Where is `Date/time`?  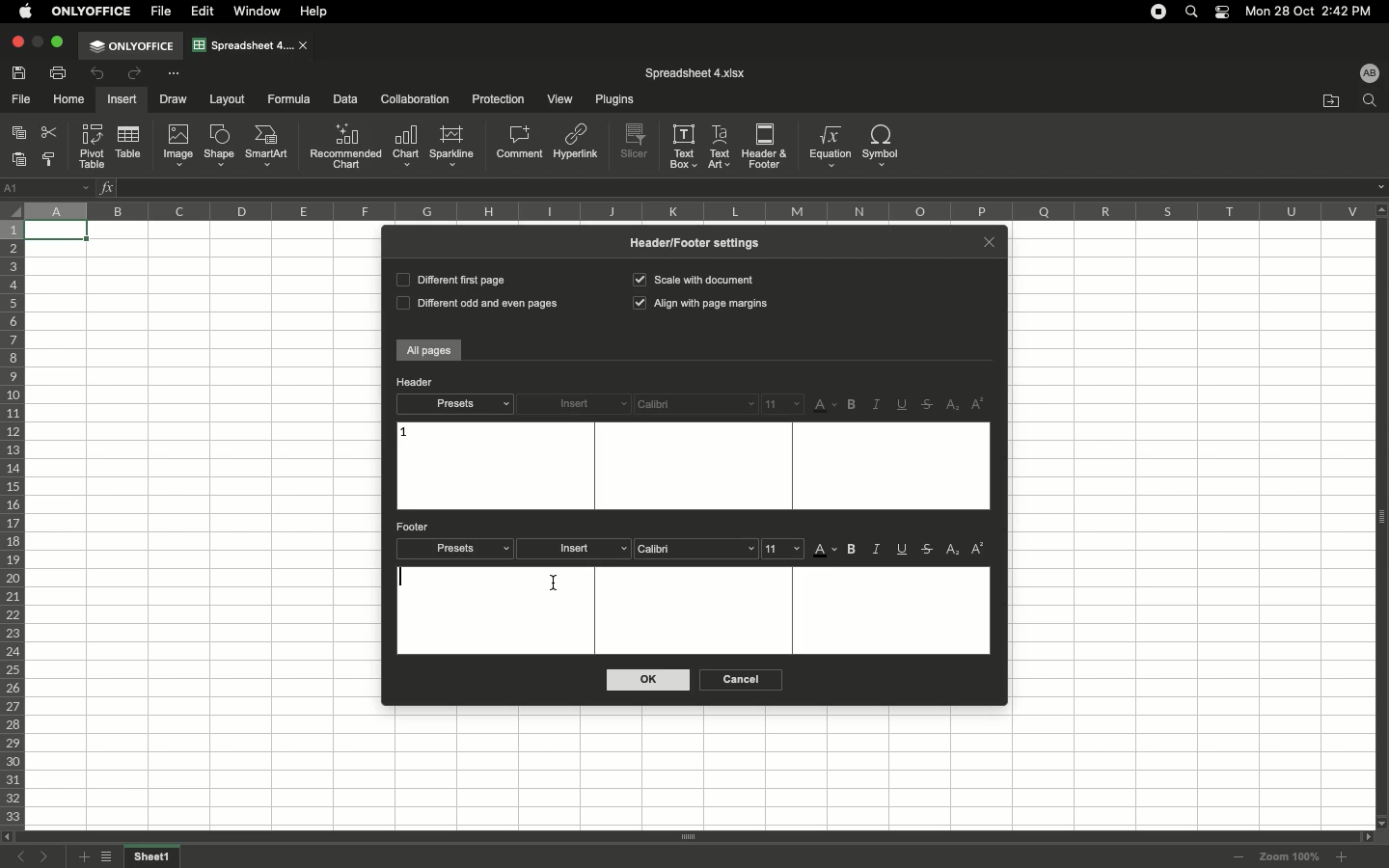 Date/time is located at coordinates (1316, 11).